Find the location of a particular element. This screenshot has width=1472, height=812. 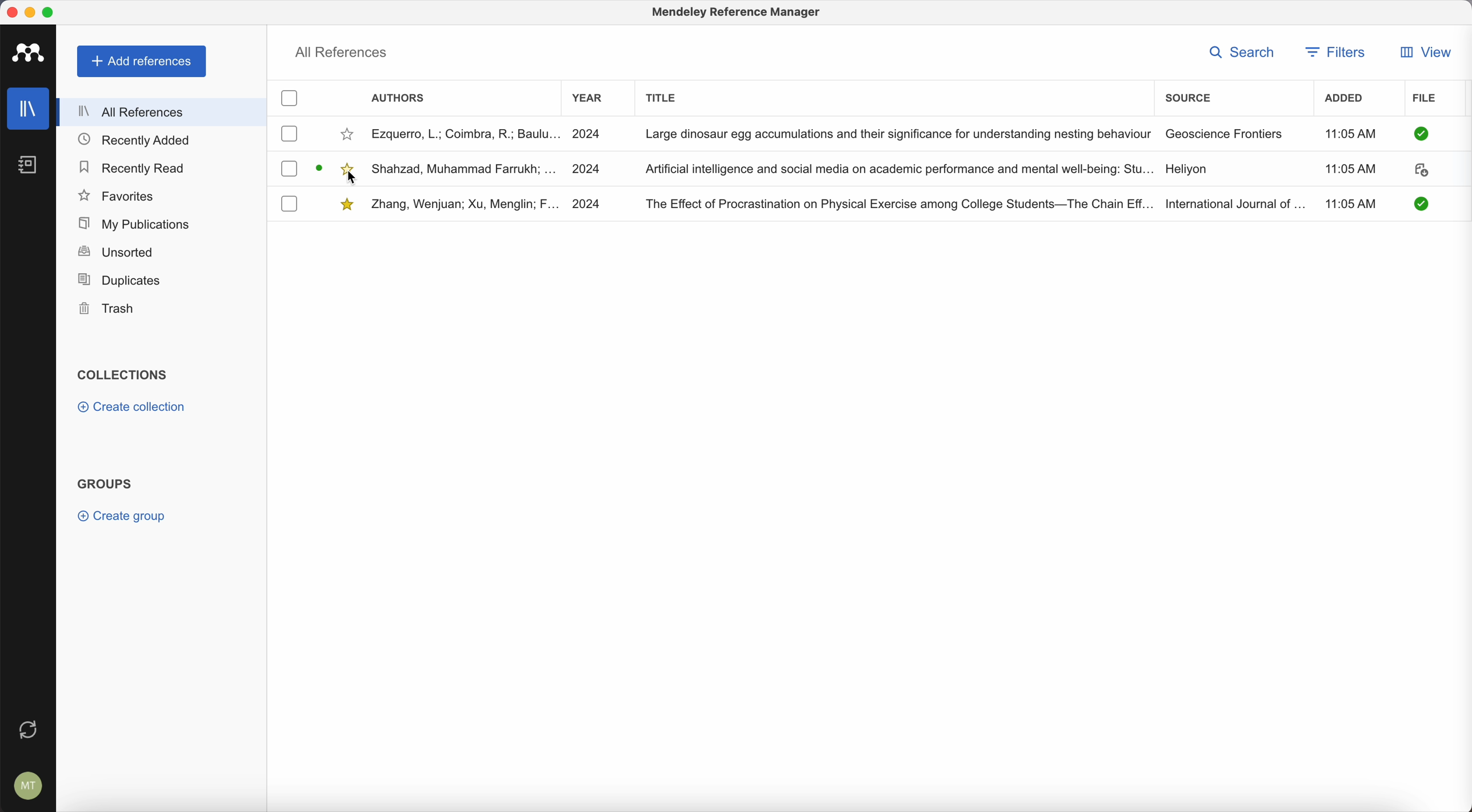

Zhang, Wenjuan; Xu, Menglin; F... is located at coordinates (466, 205).